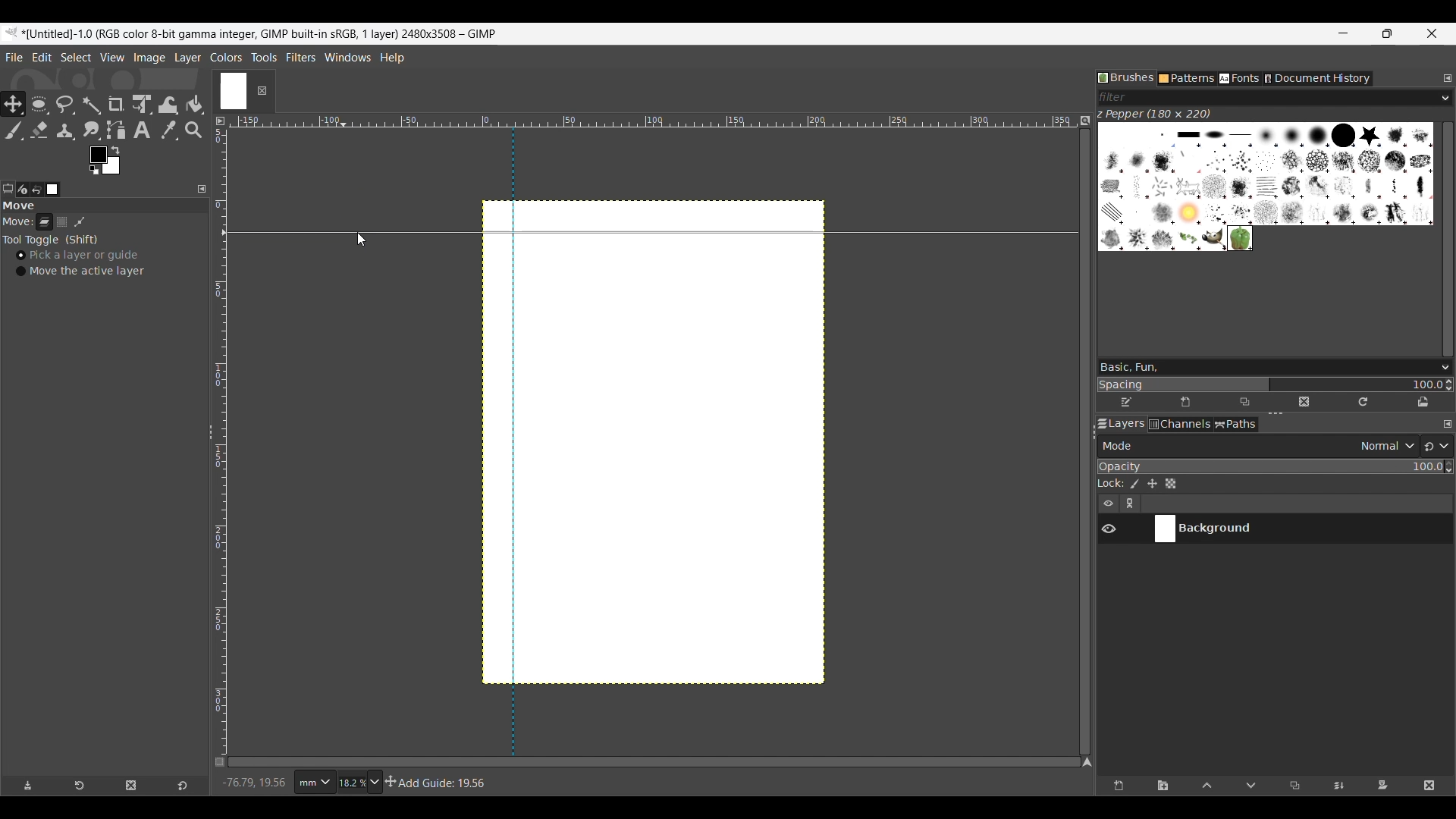  What do you see at coordinates (91, 130) in the screenshot?
I see `Smudge tool` at bounding box center [91, 130].